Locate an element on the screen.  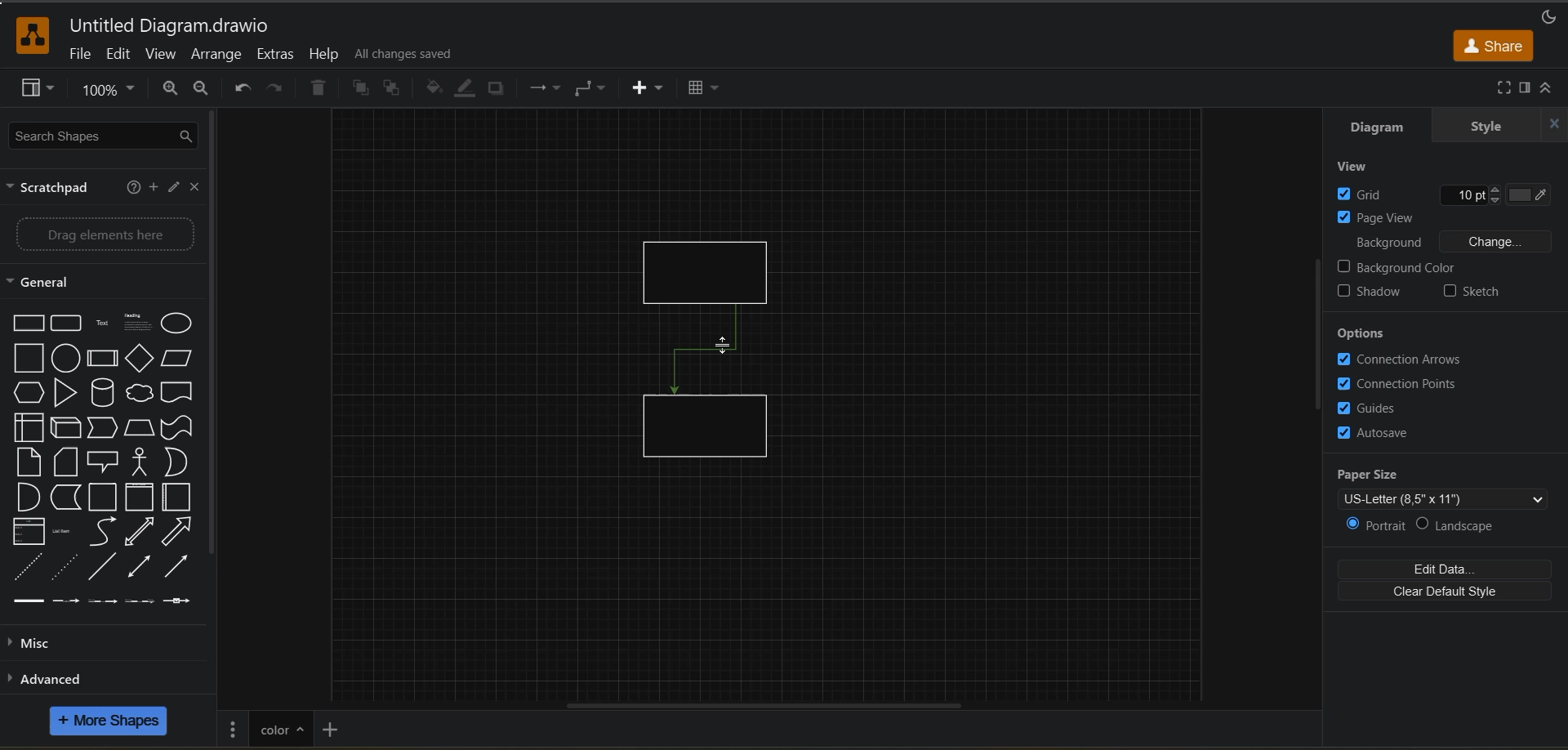
sketch is located at coordinates (1472, 291).